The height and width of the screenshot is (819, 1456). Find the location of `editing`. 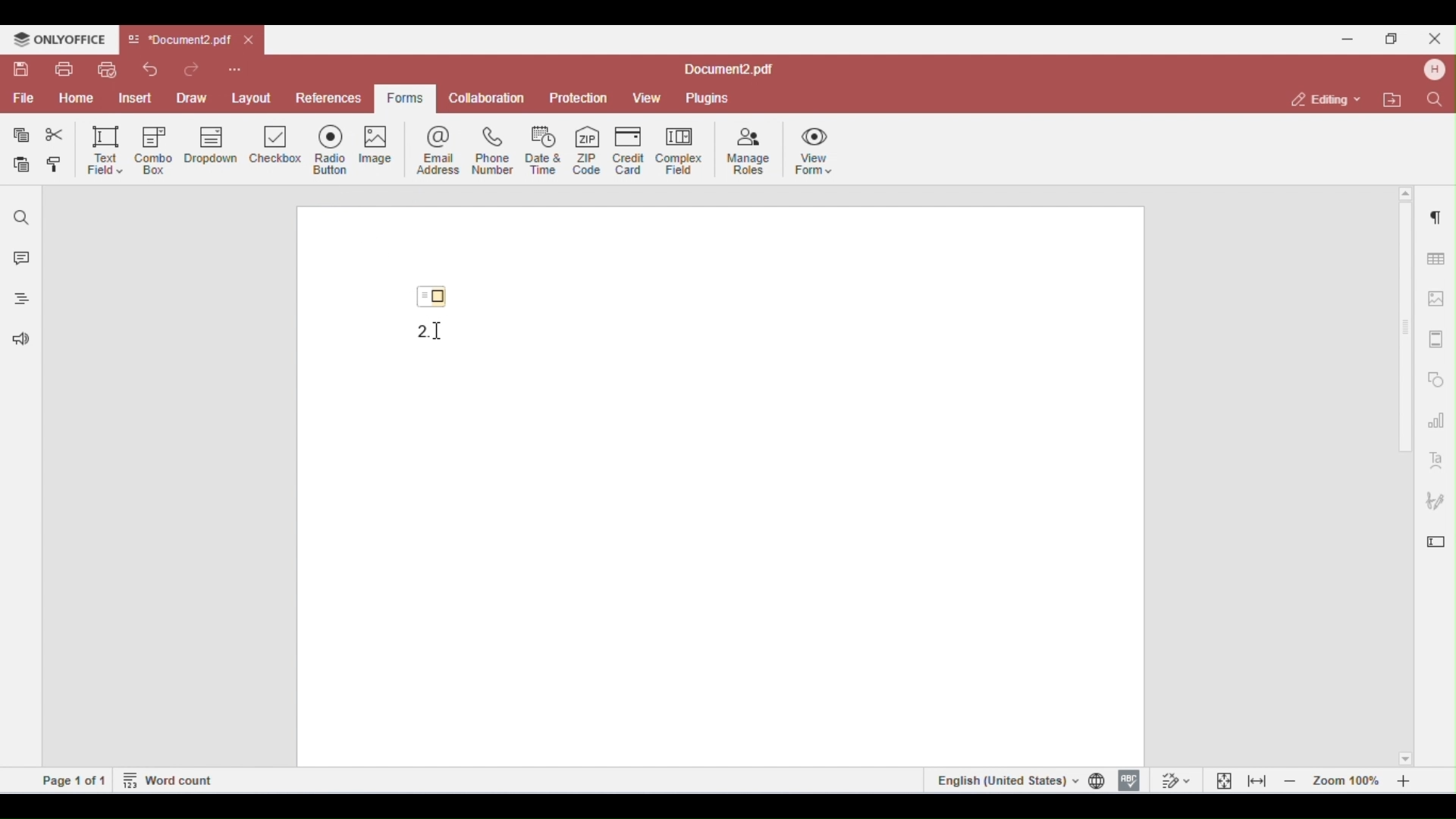

editing is located at coordinates (1327, 99).